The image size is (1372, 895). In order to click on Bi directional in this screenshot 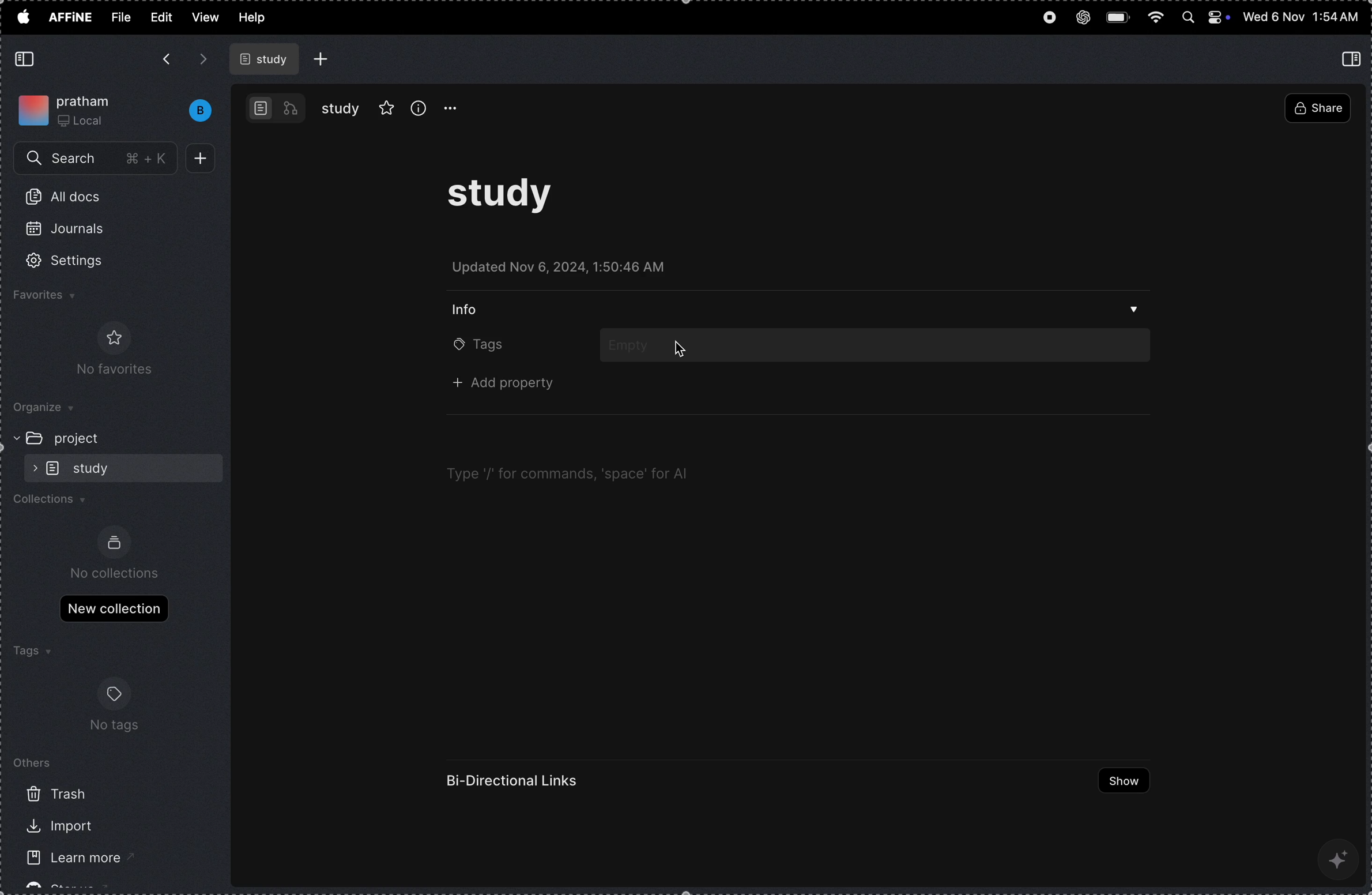, I will do `click(515, 781)`.